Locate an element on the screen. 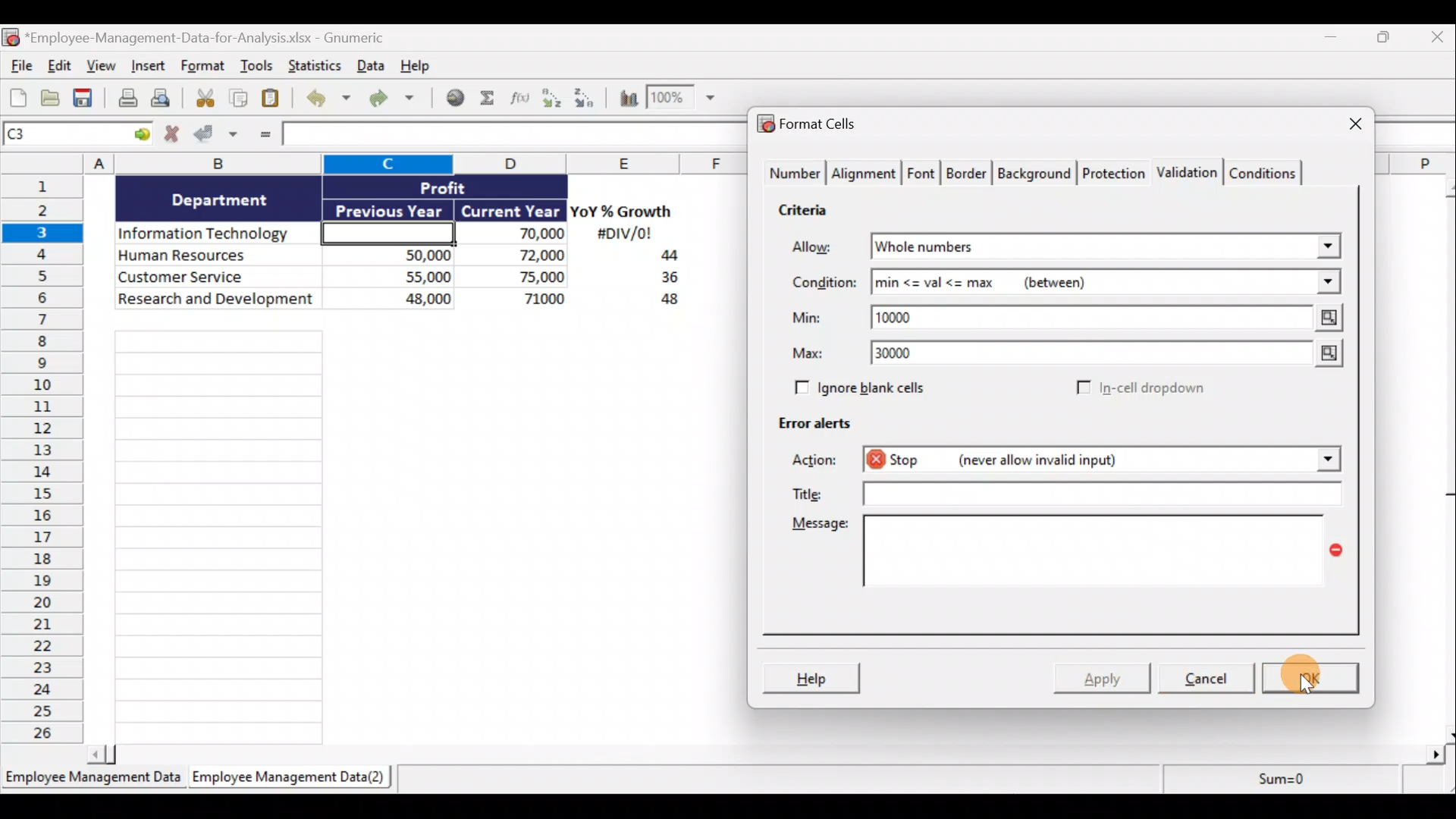 The image size is (1456, 819). 48,000 is located at coordinates (397, 301).